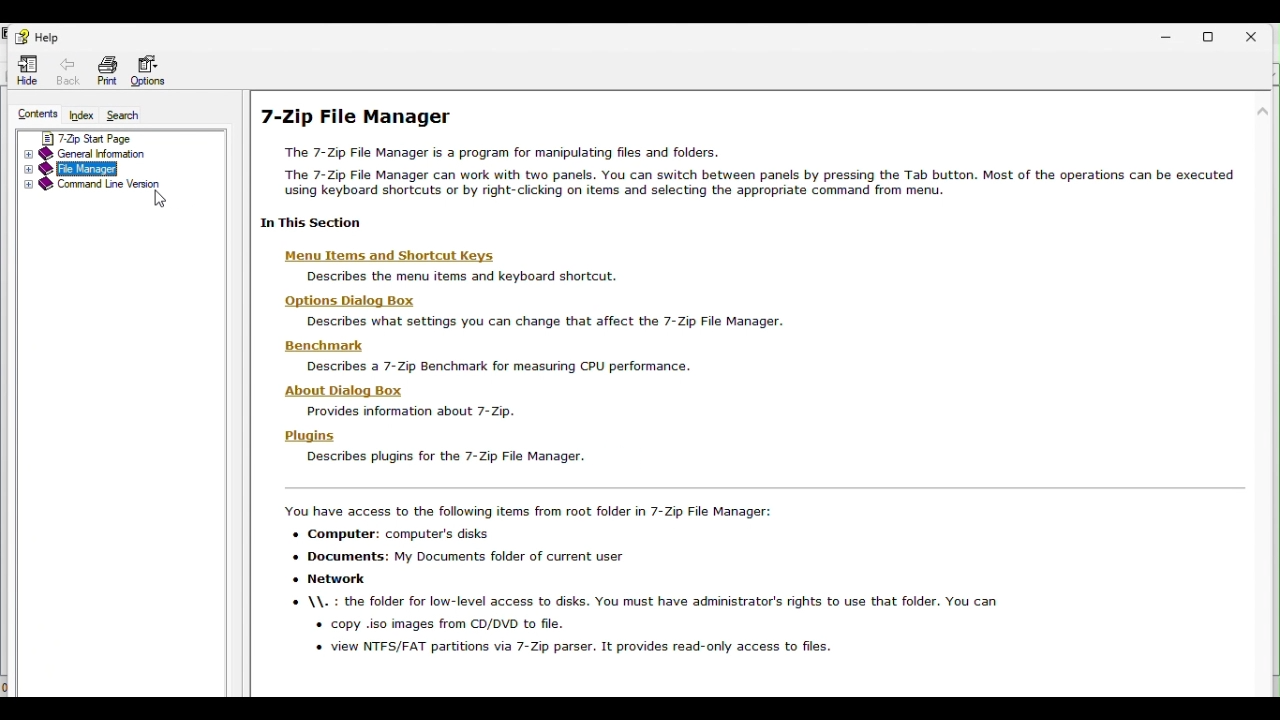  I want to click on Print, so click(108, 71).